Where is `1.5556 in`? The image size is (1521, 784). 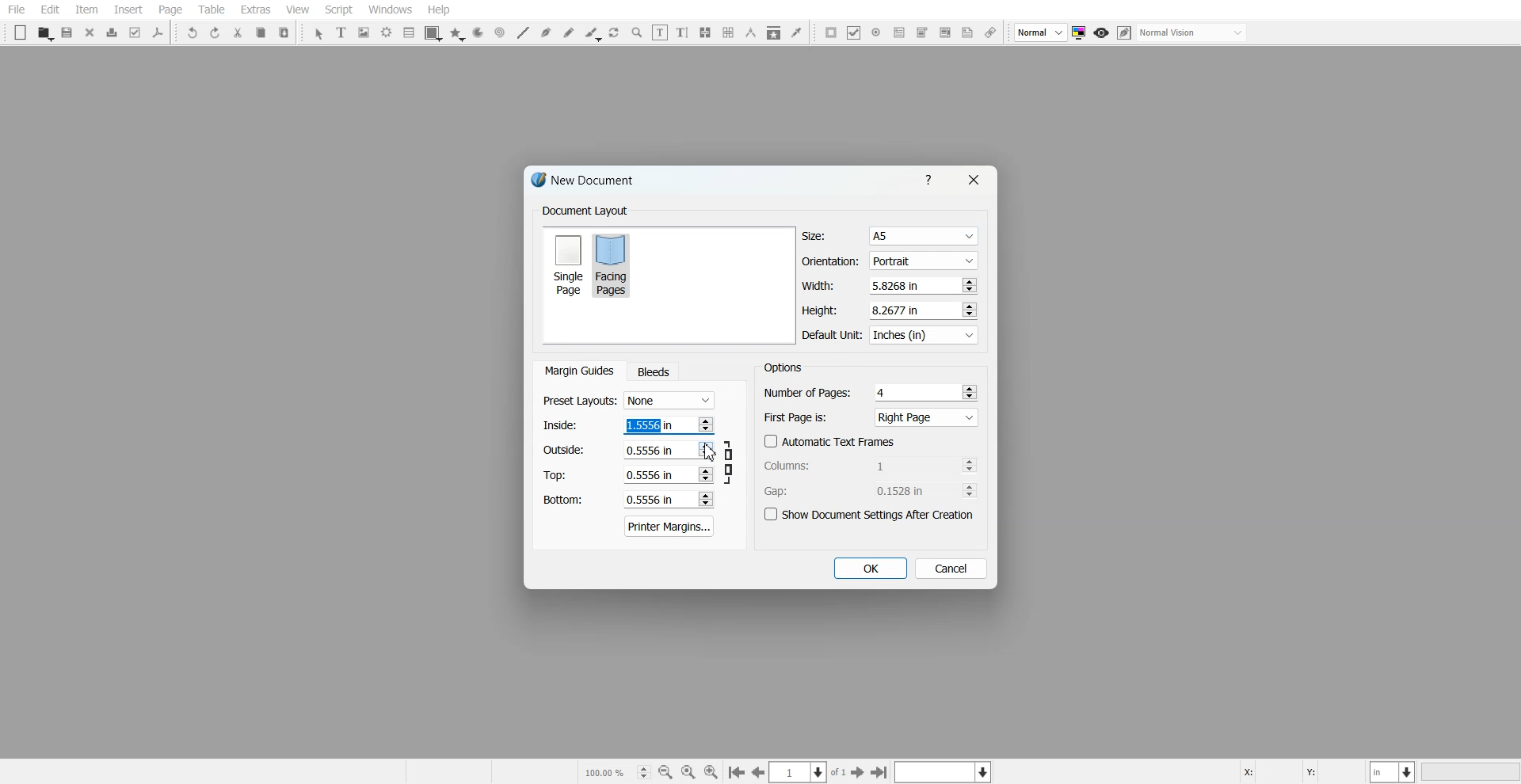
1.5556 in is located at coordinates (649, 424).